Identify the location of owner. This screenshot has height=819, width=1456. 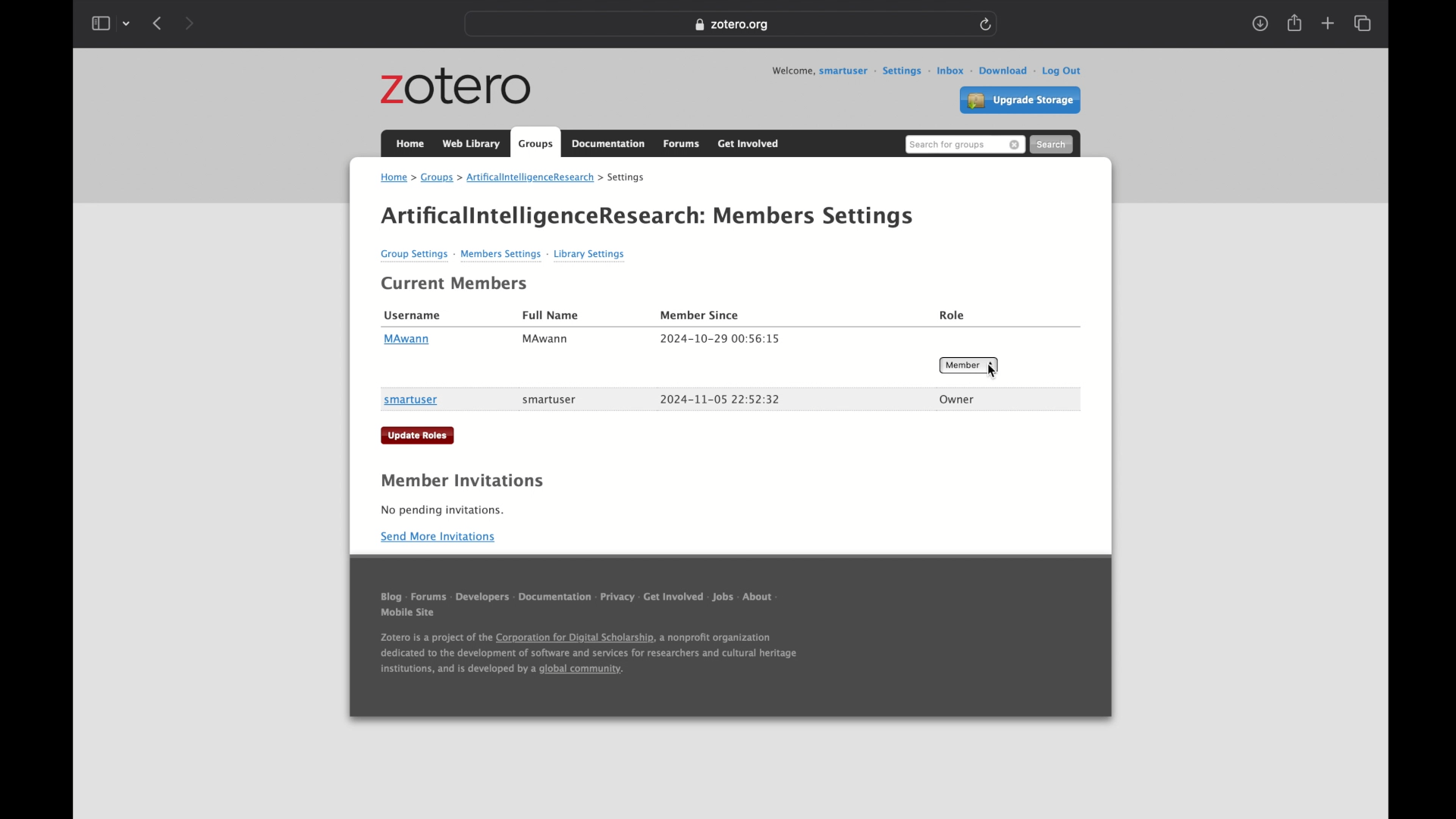
(957, 400).